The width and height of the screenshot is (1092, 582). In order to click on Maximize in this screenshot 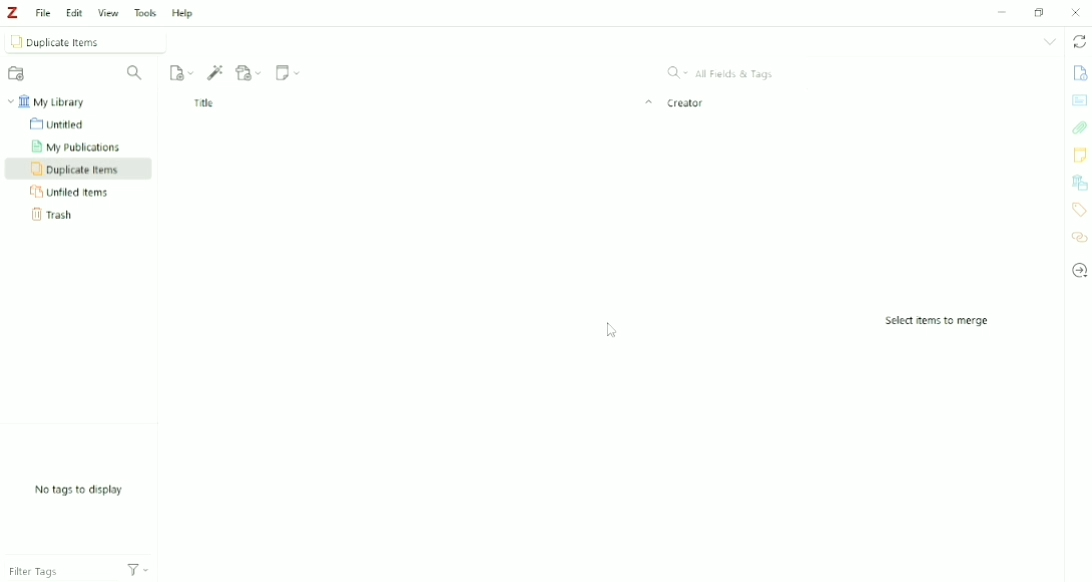, I will do `click(1042, 12)`.